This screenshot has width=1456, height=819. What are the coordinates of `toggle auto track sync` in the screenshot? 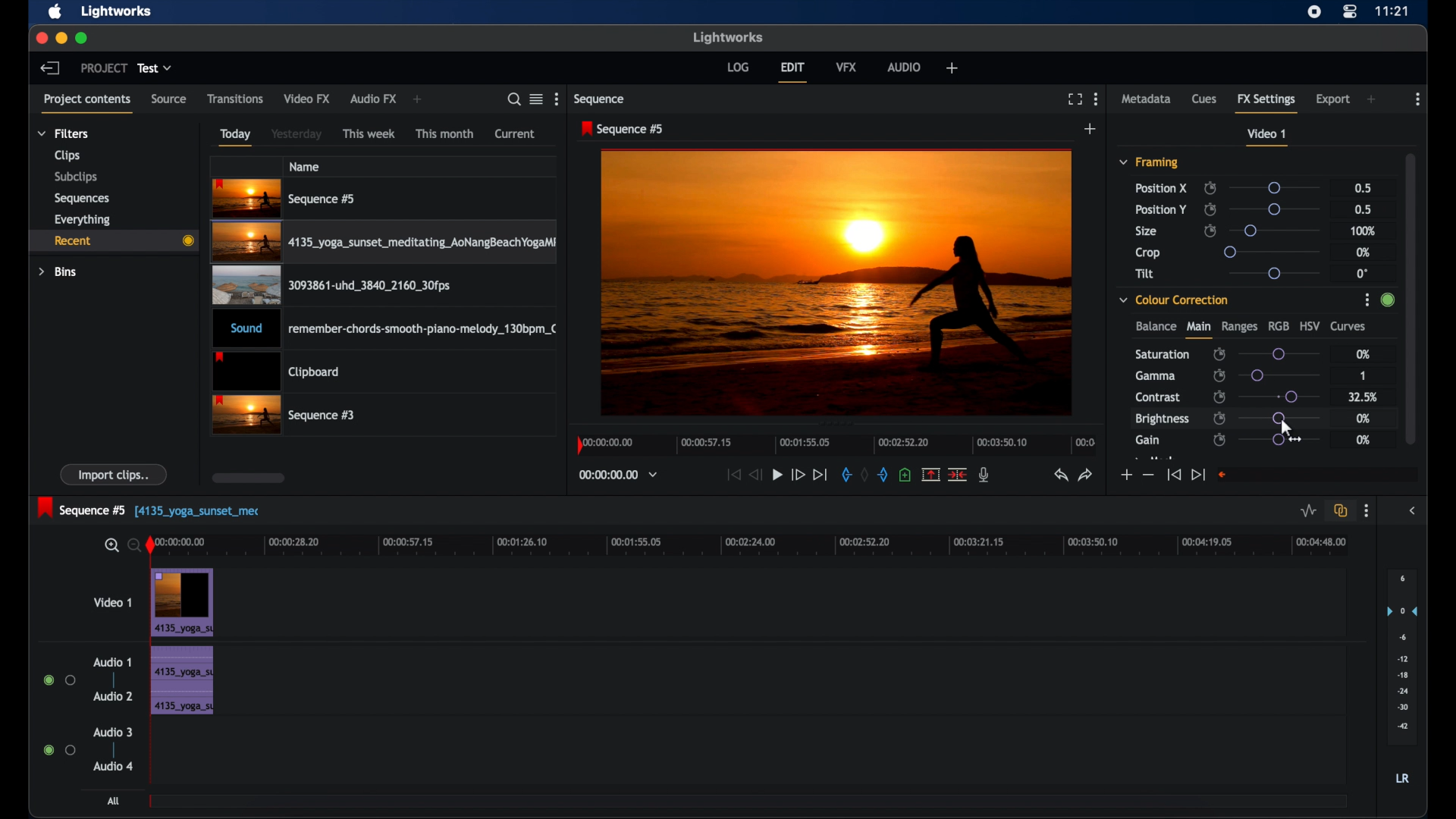 It's located at (1341, 511).